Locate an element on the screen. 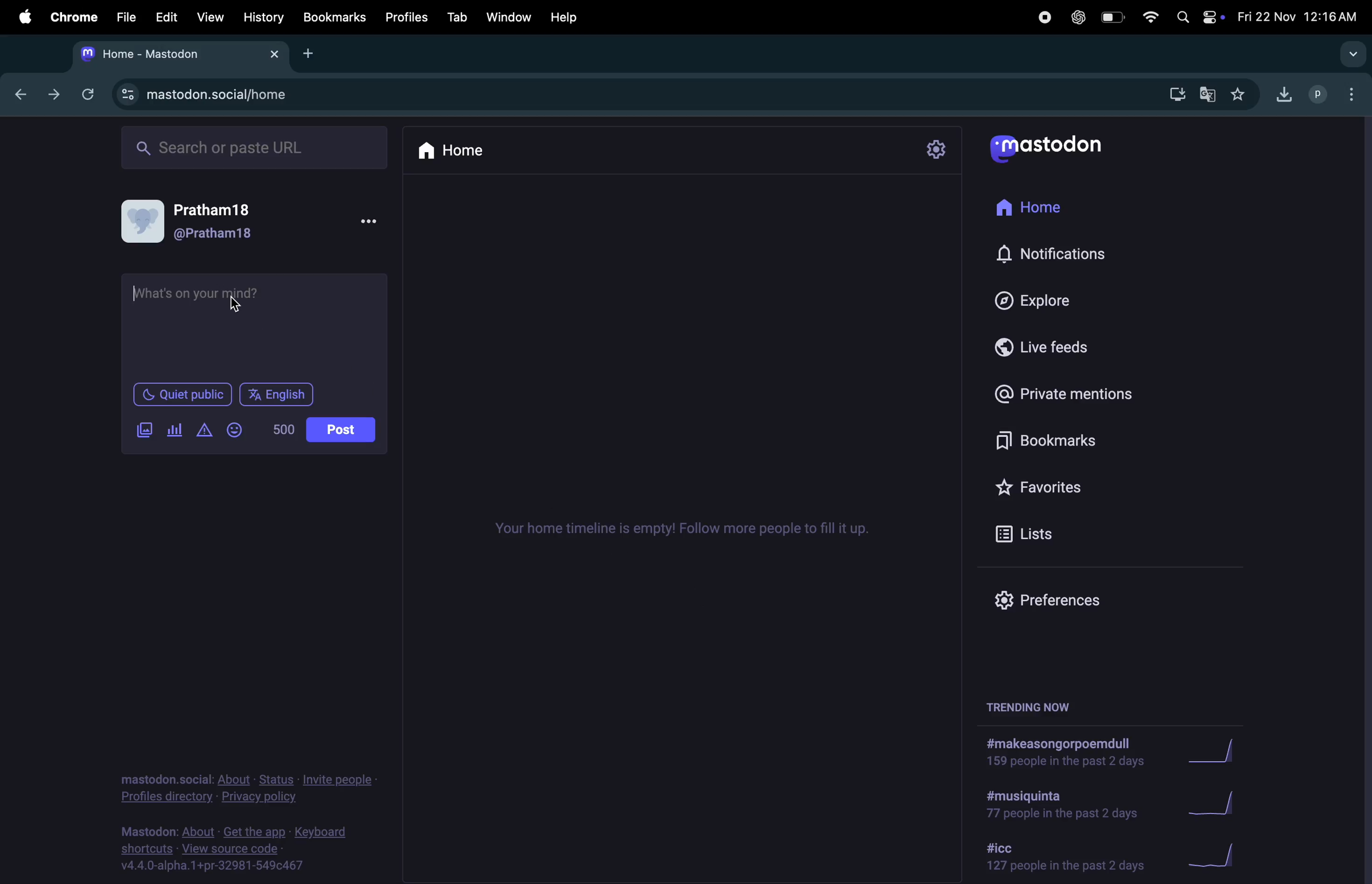 Image resolution: width=1372 pixels, height=884 pixels. hashtags is located at coordinates (1054, 751).